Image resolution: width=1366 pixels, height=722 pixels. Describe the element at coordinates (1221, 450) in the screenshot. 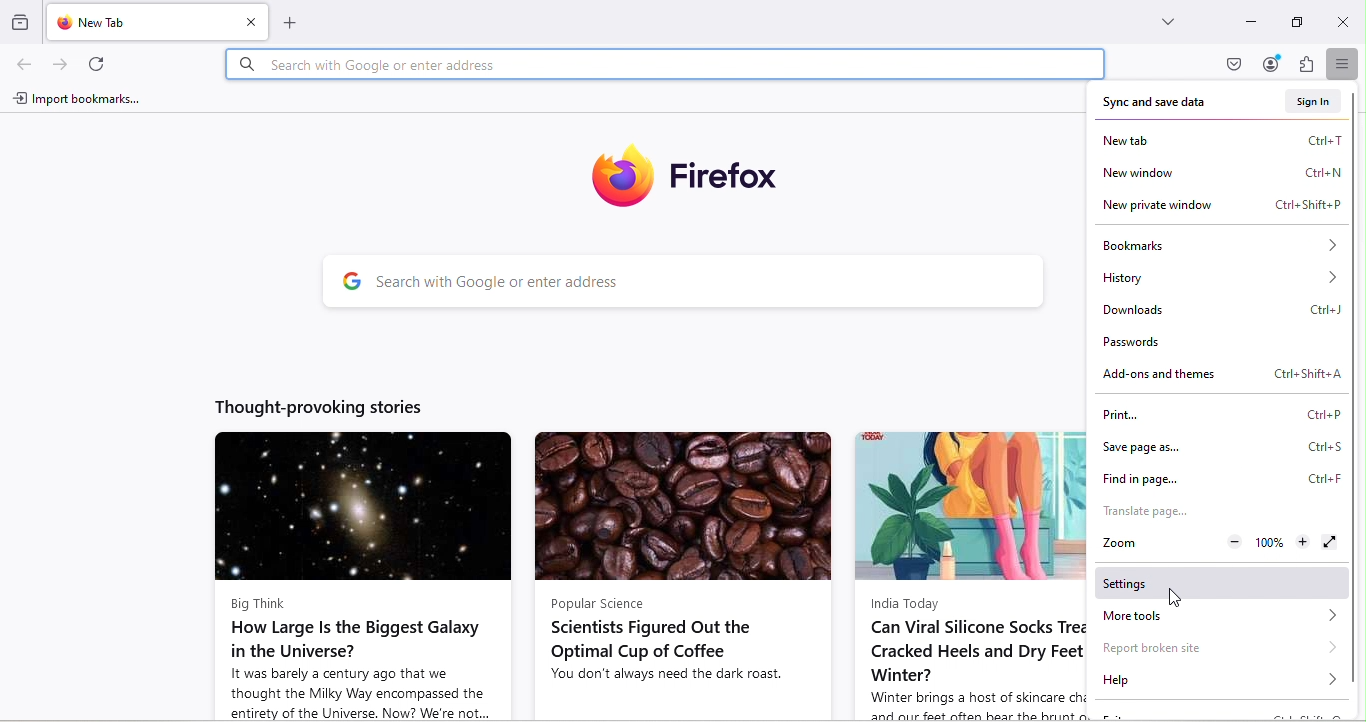

I see `Save page as` at that location.